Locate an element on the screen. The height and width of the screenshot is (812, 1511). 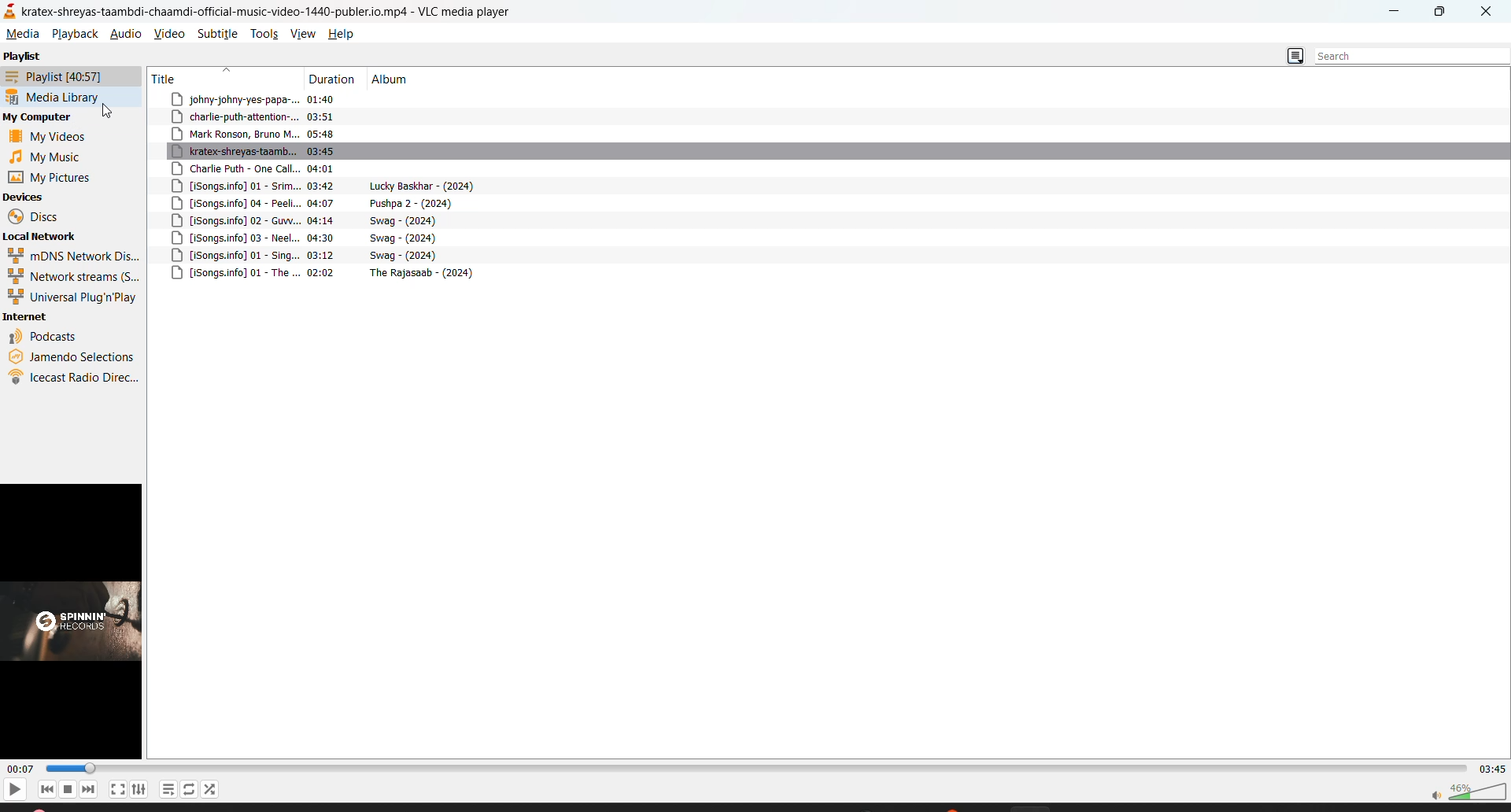
duration is located at coordinates (334, 76).